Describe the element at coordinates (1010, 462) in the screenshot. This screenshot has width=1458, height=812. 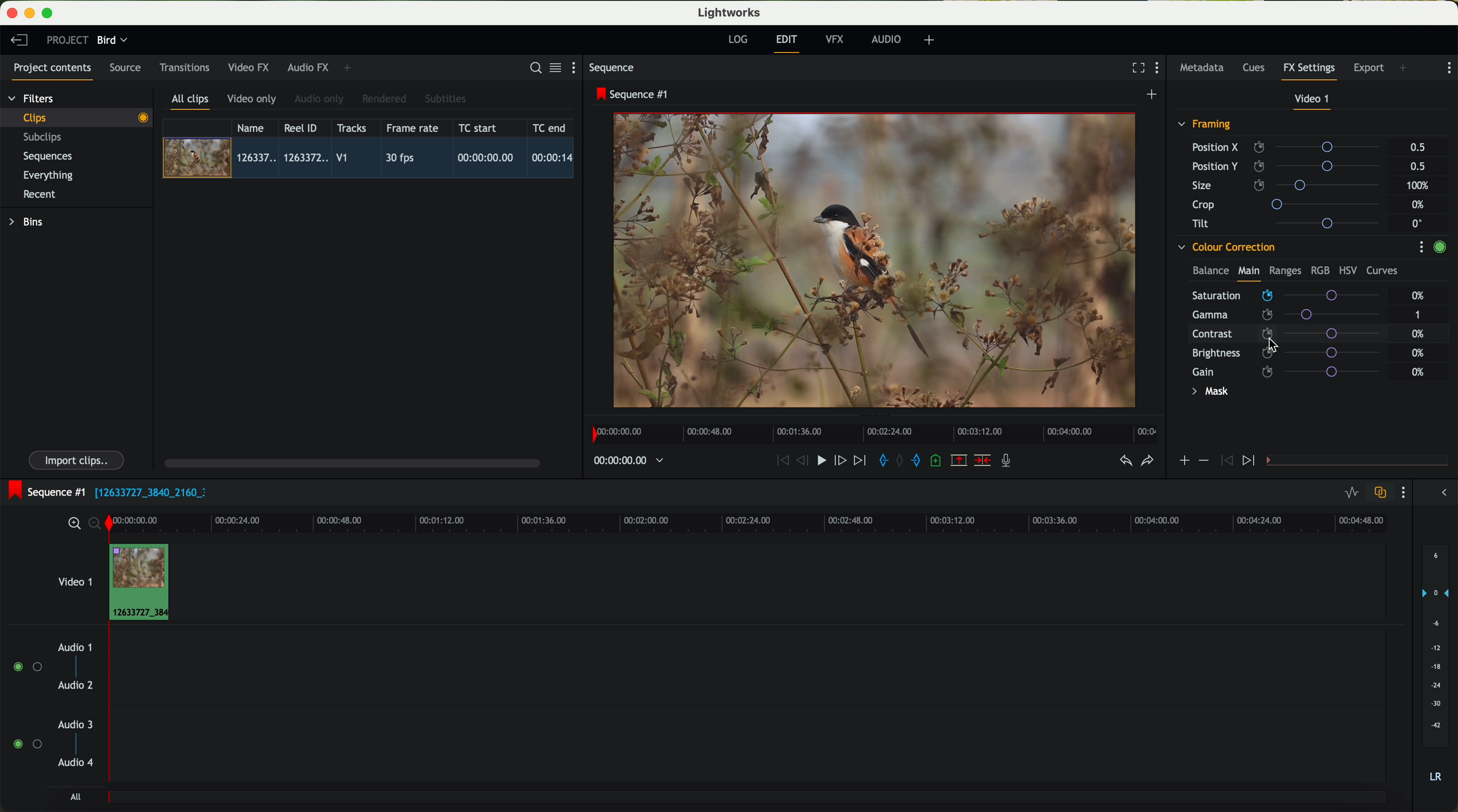
I see `record a voice-over` at that location.